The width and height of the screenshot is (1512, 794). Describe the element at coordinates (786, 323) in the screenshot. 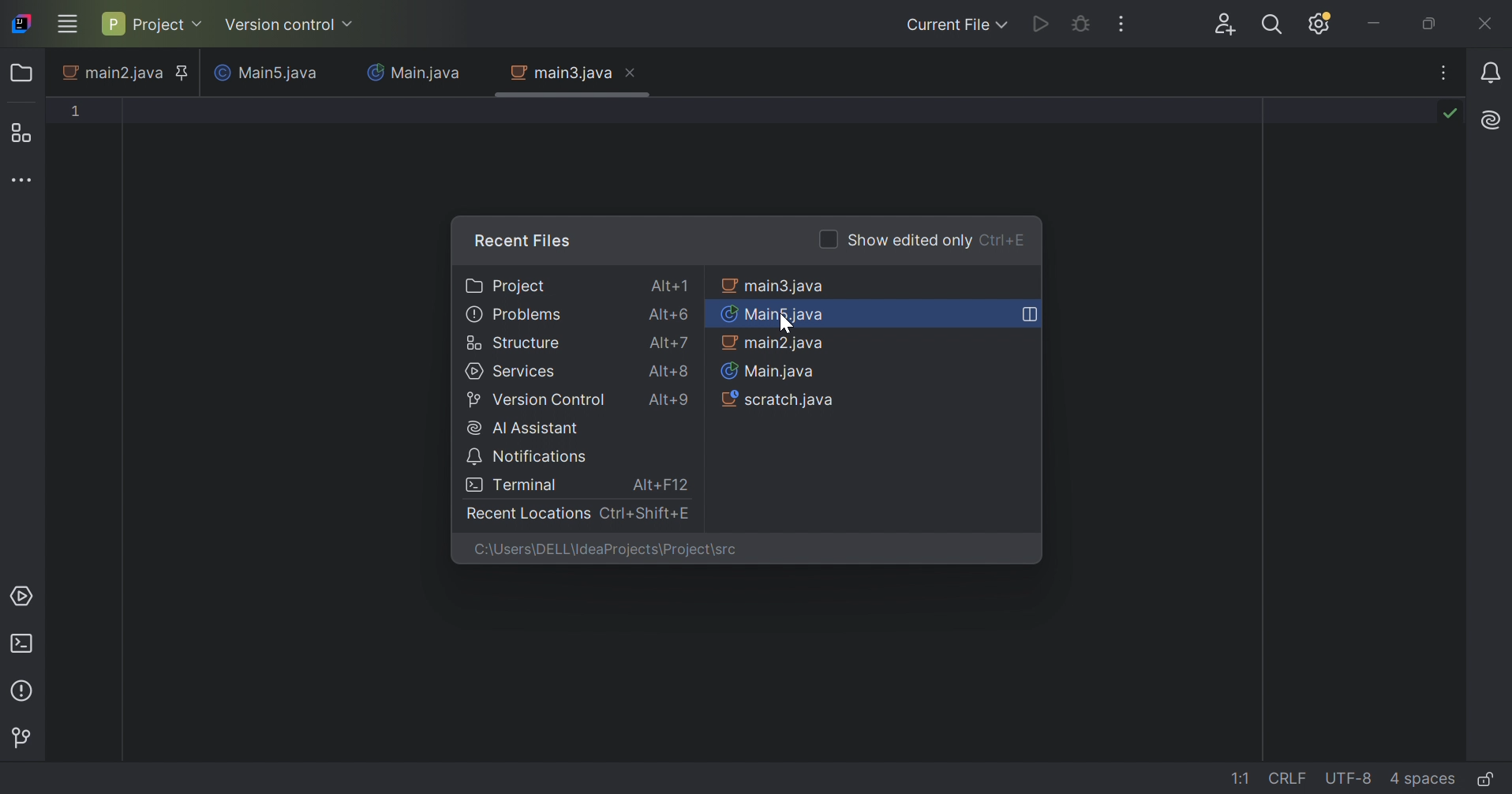

I see `Cursor` at that location.